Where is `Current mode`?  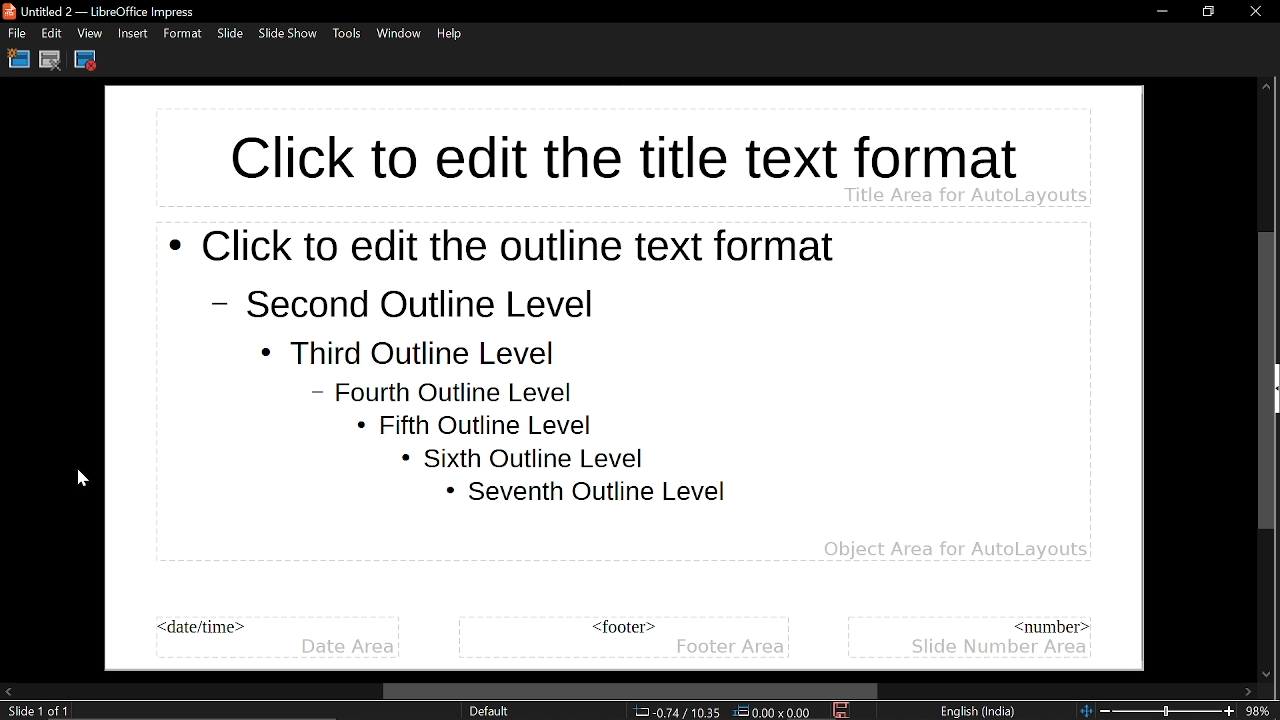 Current mode is located at coordinates (493, 712).